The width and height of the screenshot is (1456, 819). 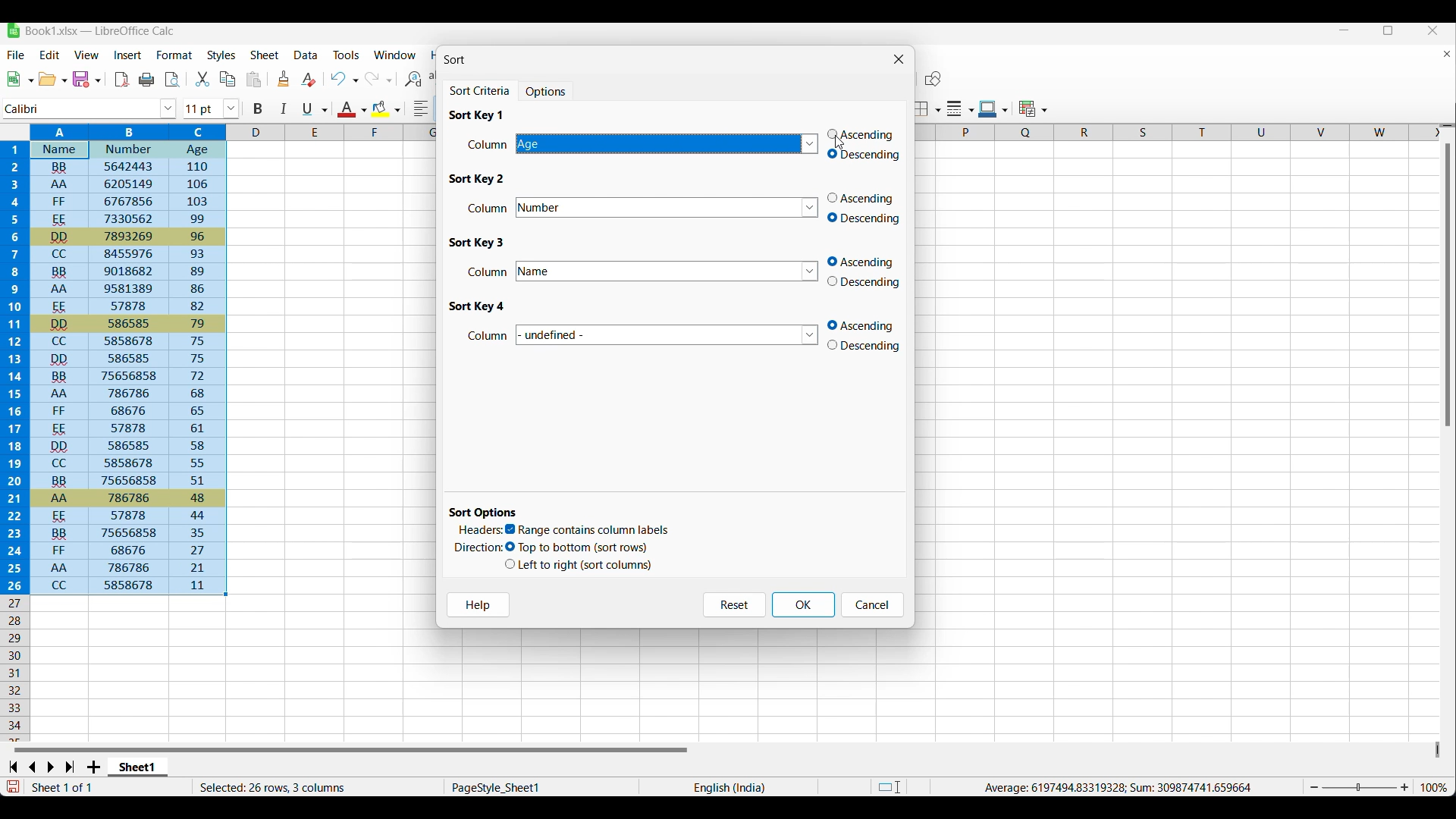 What do you see at coordinates (890, 787) in the screenshot?
I see `Standard selection` at bounding box center [890, 787].